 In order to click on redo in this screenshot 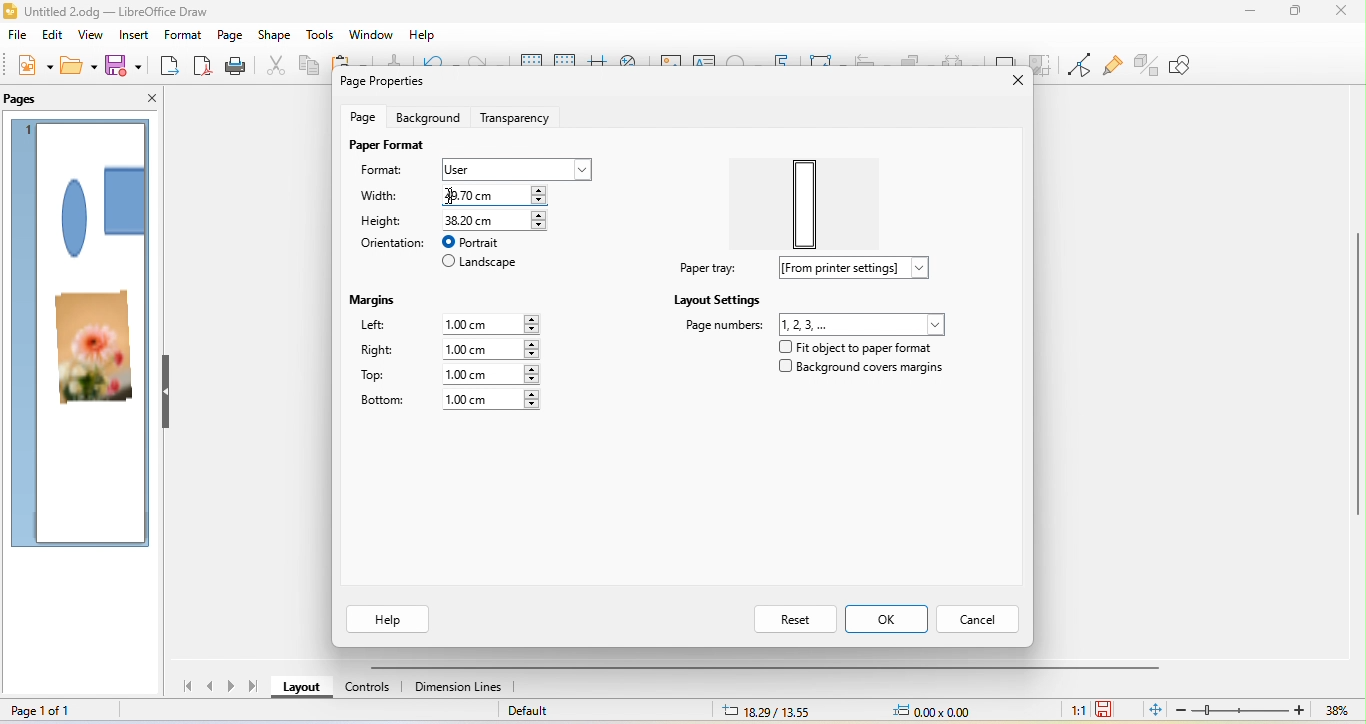, I will do `click(486, 64)`.